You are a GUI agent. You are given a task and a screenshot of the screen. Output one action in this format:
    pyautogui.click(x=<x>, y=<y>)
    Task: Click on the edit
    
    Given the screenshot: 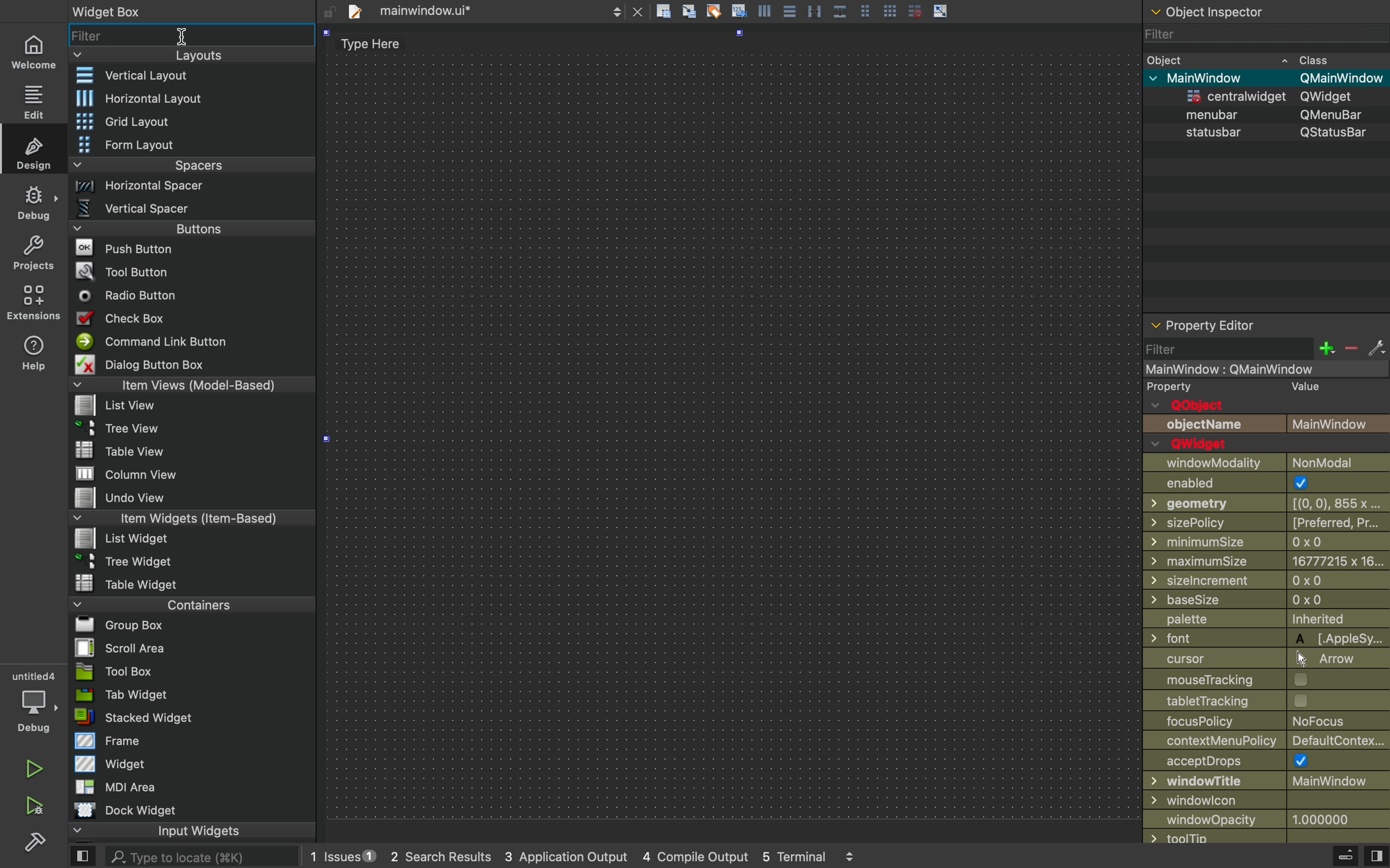 What is the action you would take?
    pyautogui.click(x=33, y=99)
    